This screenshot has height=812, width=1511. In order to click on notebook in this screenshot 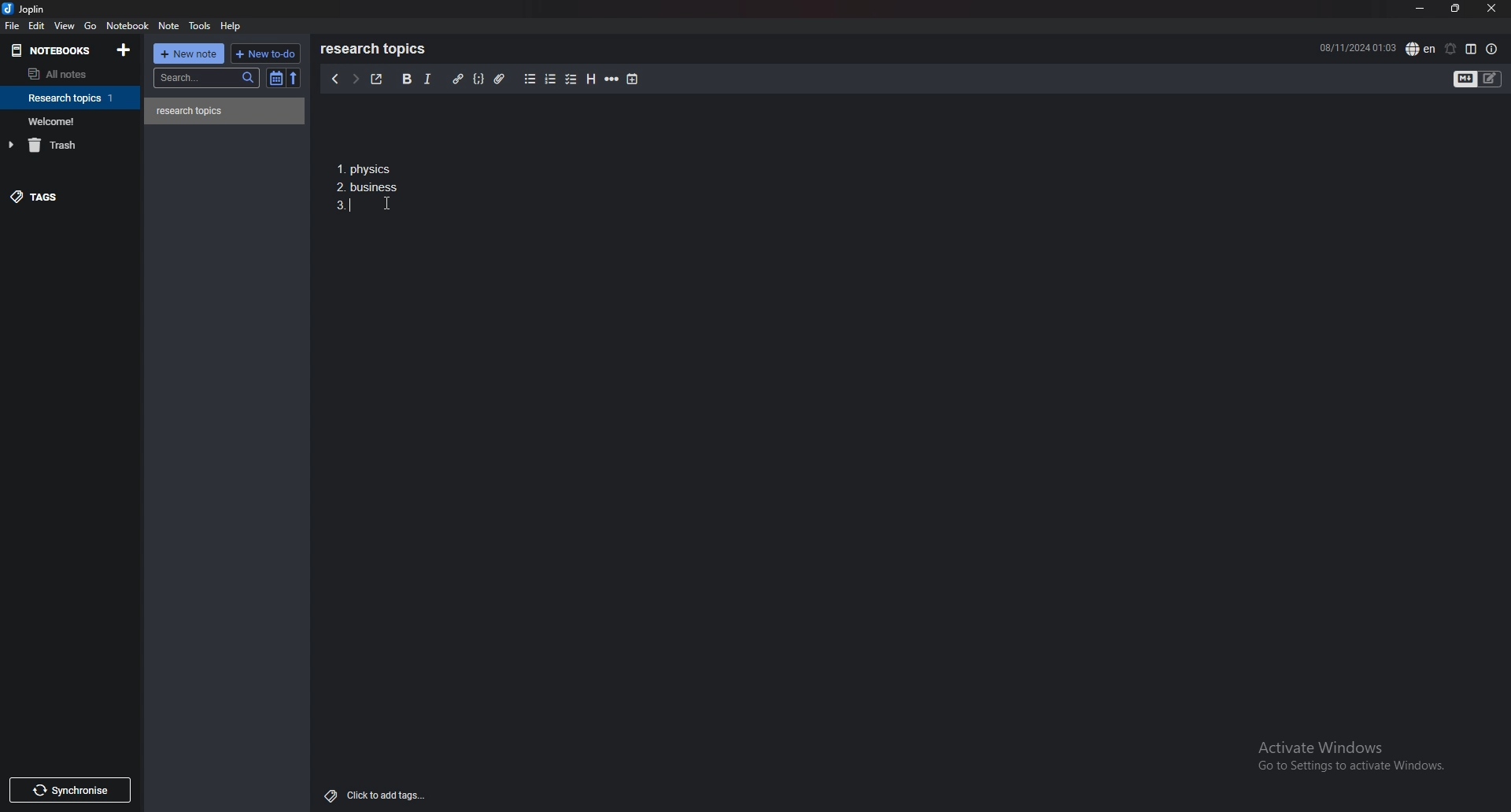, I will do `click(72, 120)`.